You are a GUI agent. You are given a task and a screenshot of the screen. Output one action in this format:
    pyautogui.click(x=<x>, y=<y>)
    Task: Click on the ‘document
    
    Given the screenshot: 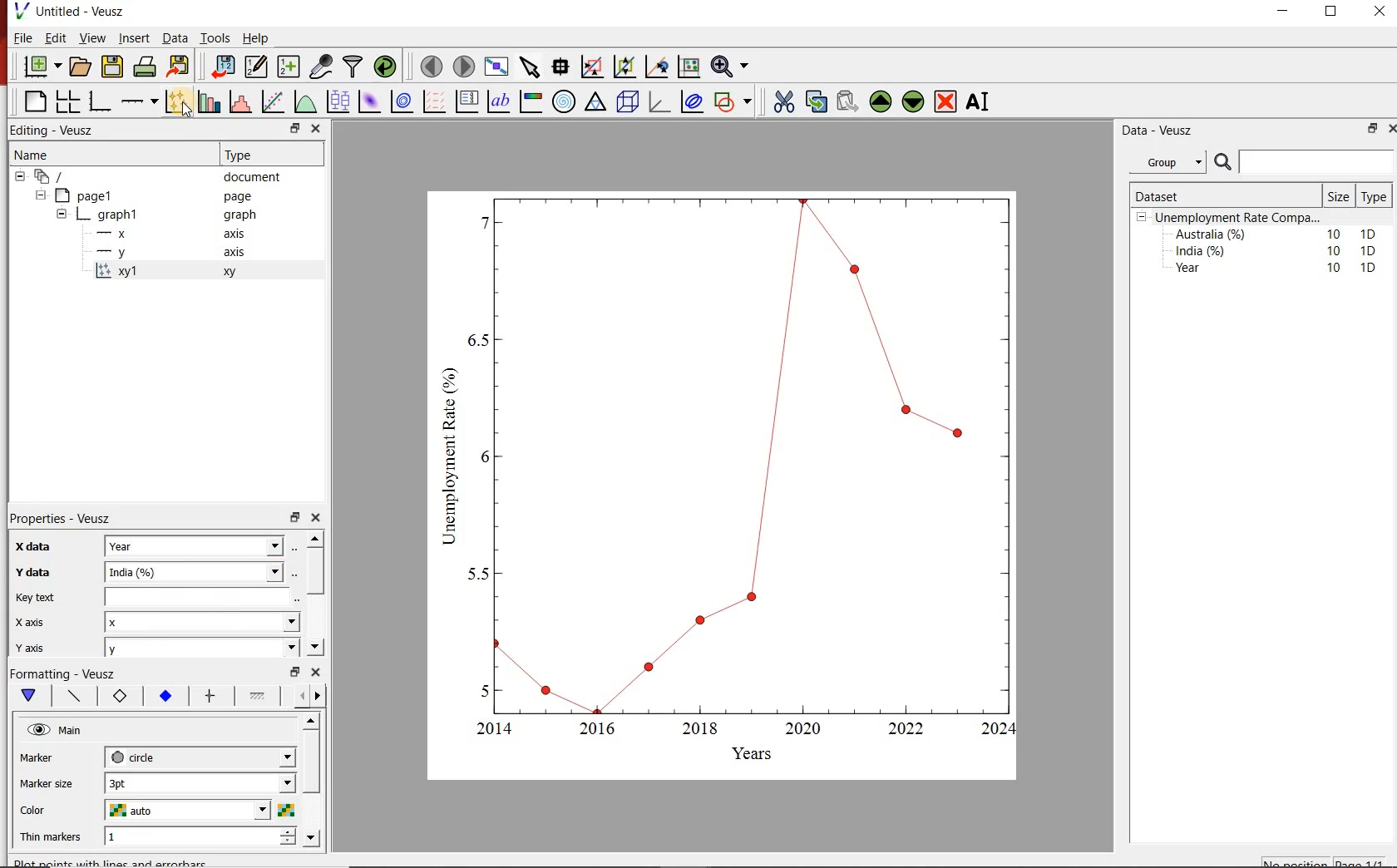 What is the action you would take?
    pyautogui.click(x=155, y=175)
    